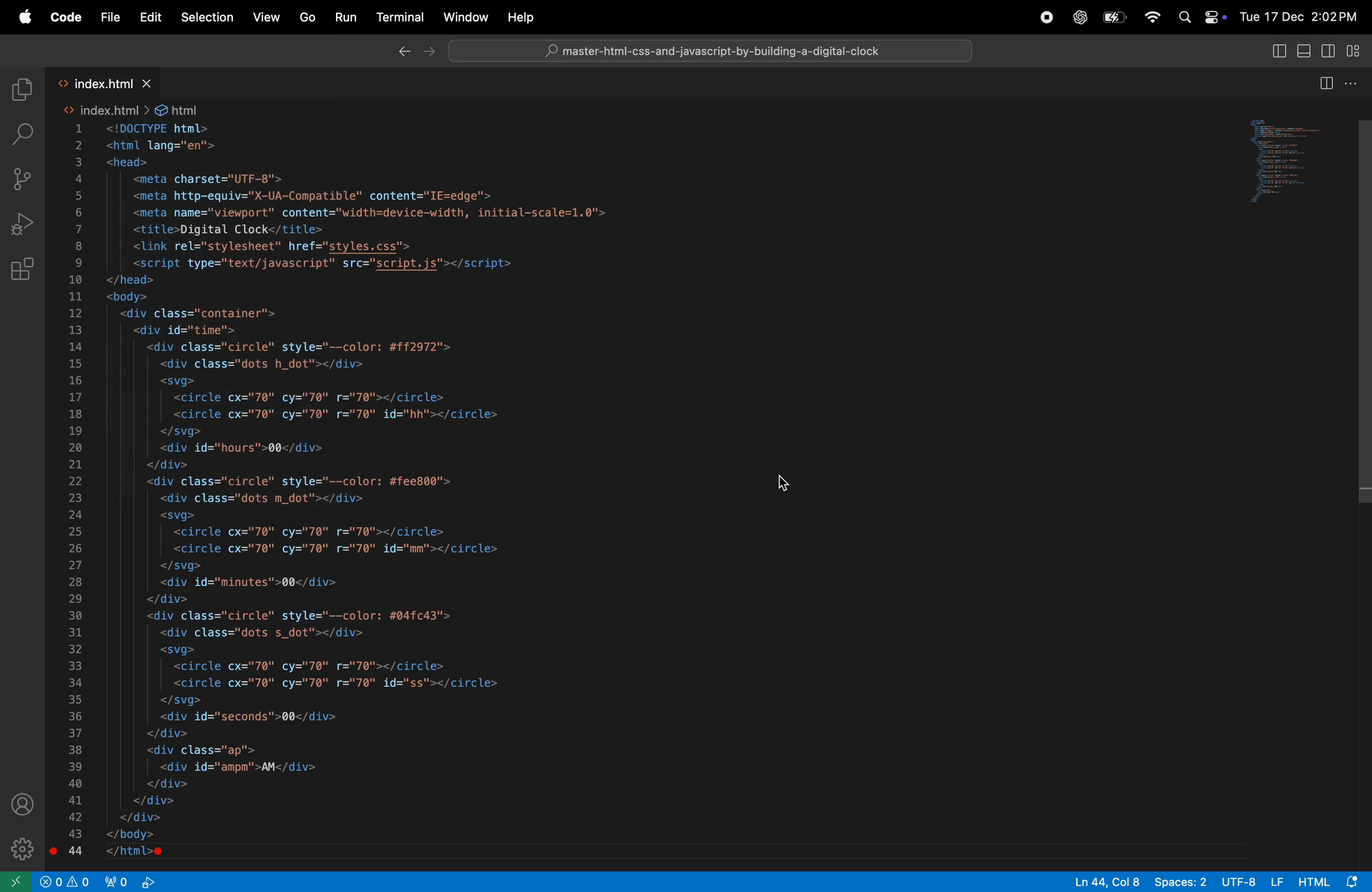 This screenshot has height=892, width=1372. What do you see at coordinates (77, 490) in the screenshot?
I see `line numbers` at bounding box center [77, 490].